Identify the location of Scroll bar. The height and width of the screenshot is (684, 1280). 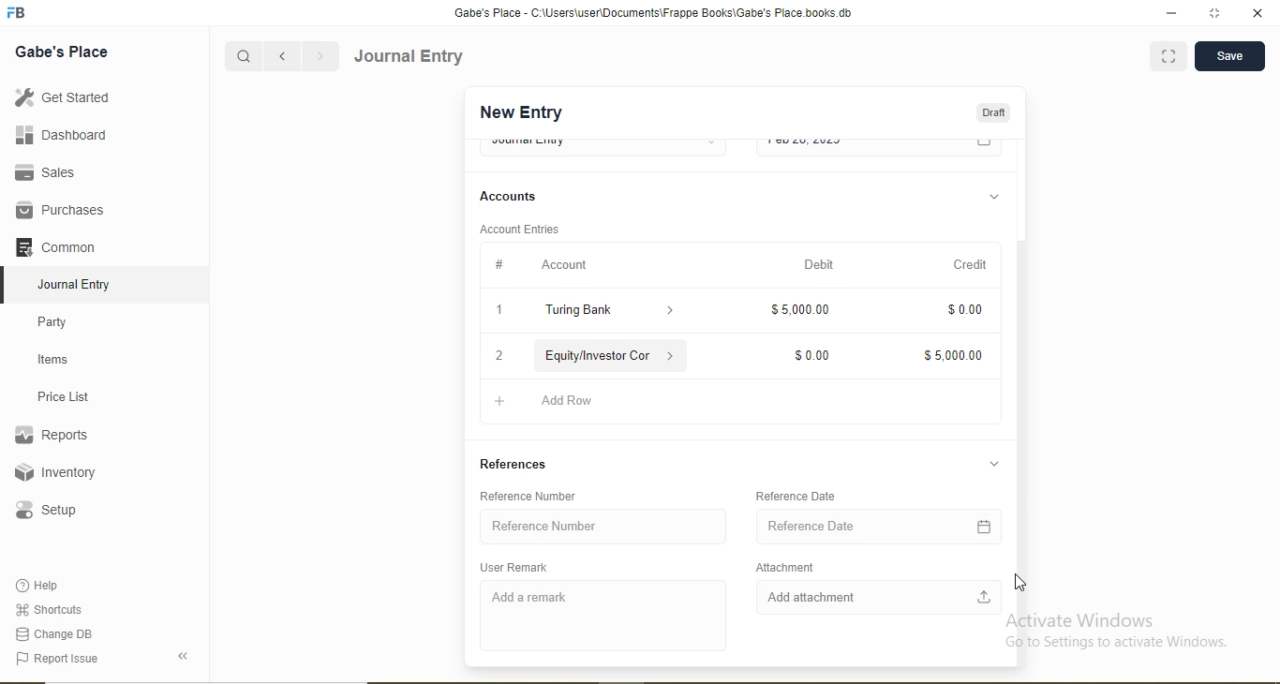
(1021, 386).